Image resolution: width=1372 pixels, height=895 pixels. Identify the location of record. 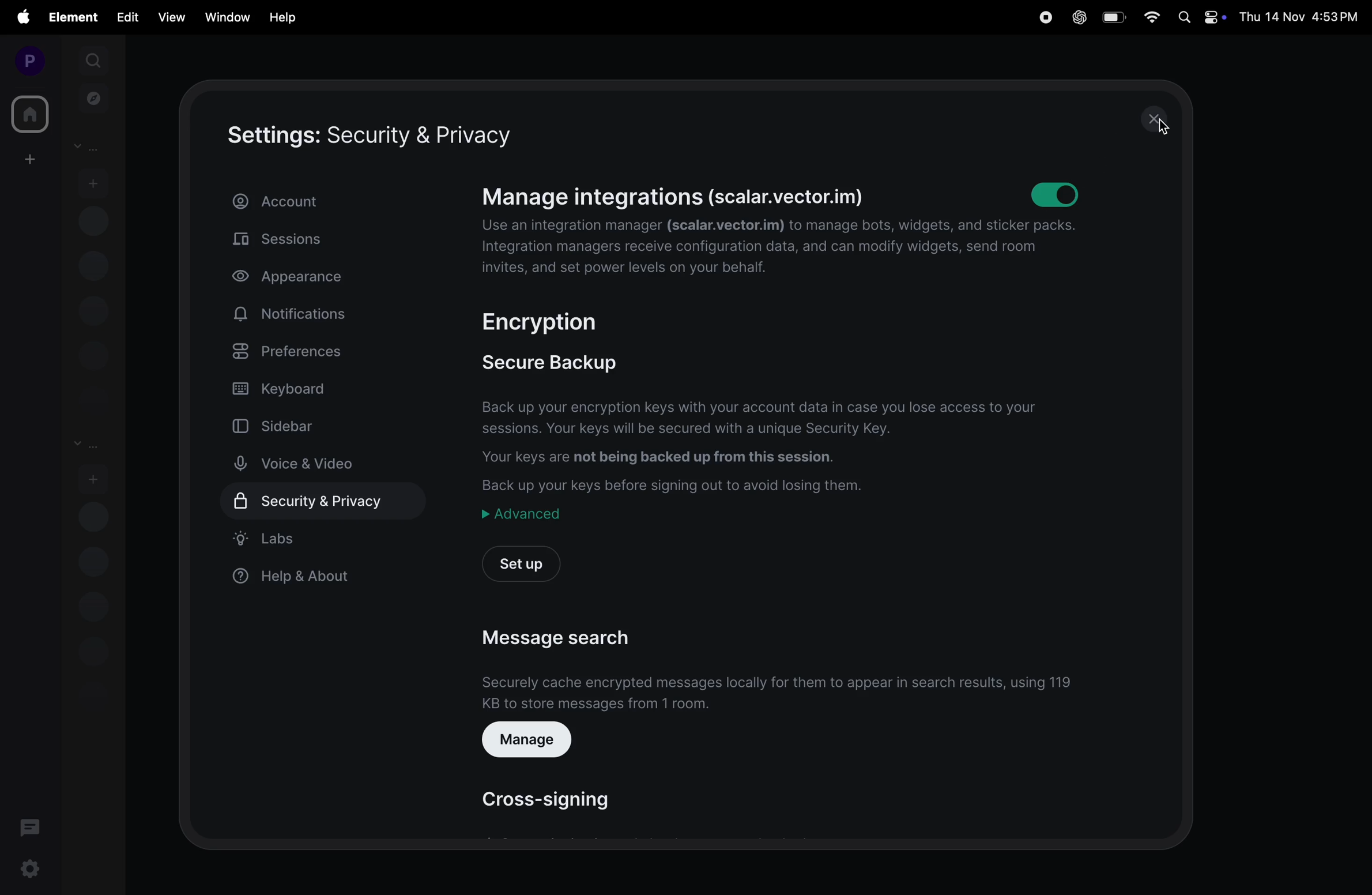
(1045, 17).